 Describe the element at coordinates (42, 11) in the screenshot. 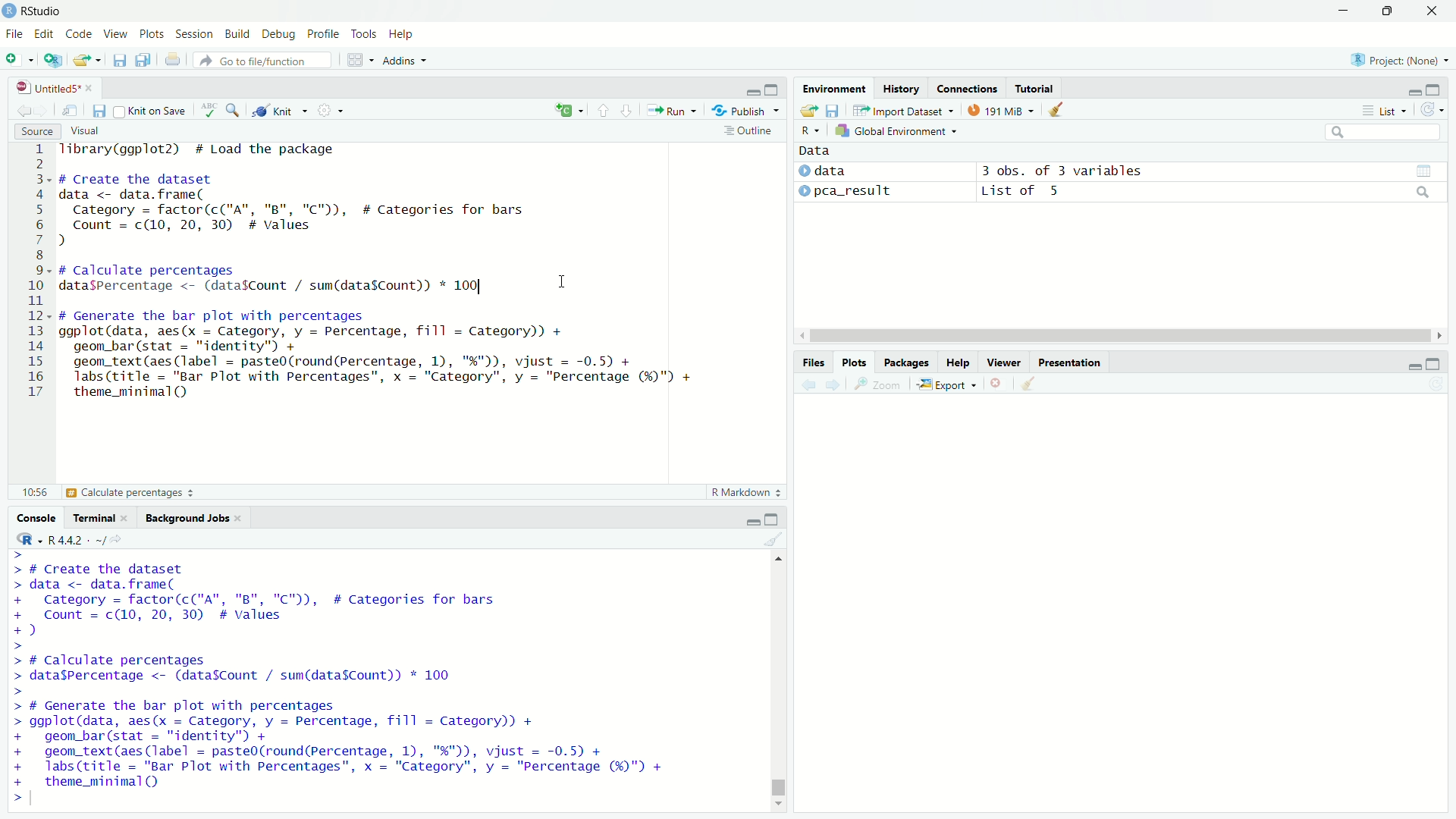

I see `Rstudio` at that location.